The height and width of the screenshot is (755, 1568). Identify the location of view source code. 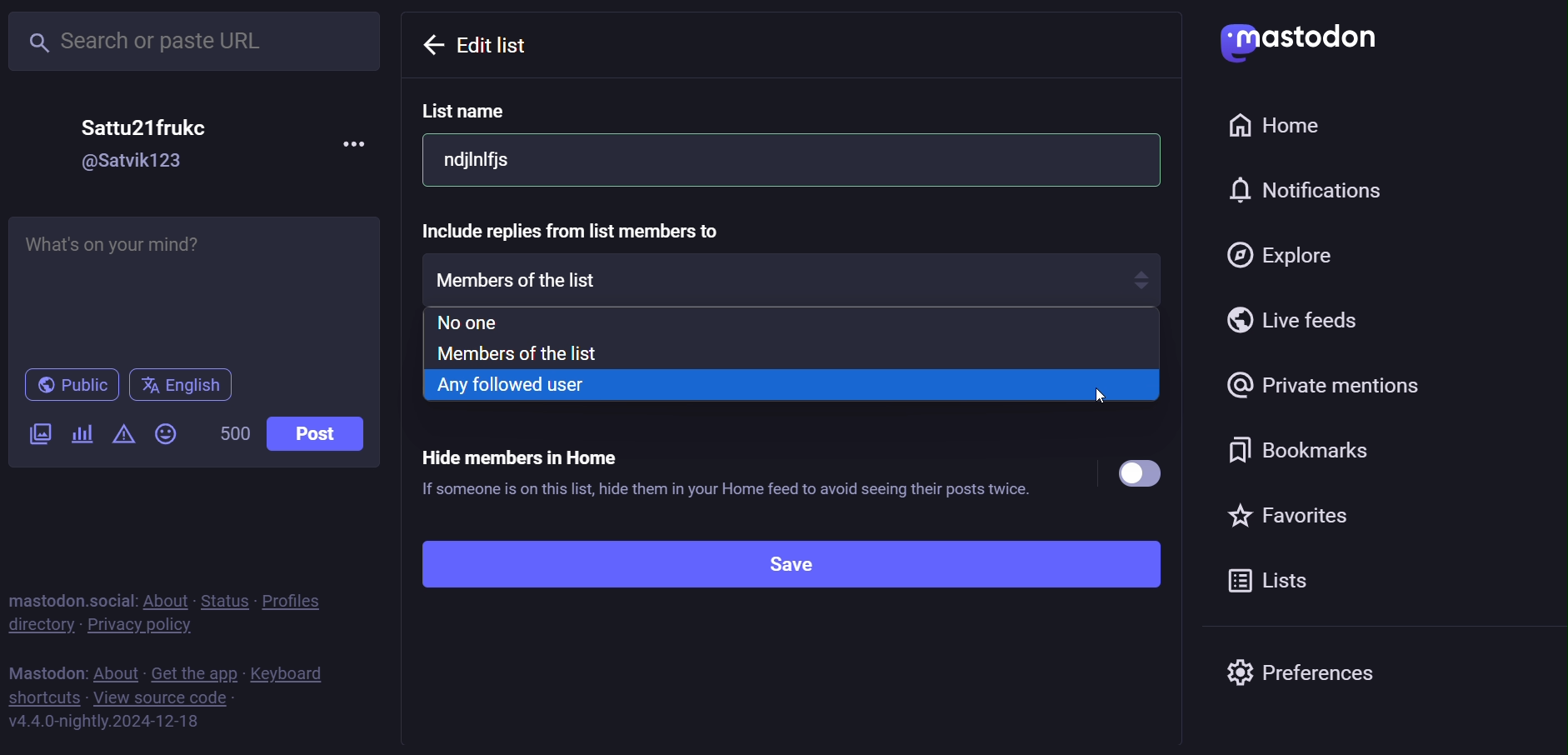
(164, 697).